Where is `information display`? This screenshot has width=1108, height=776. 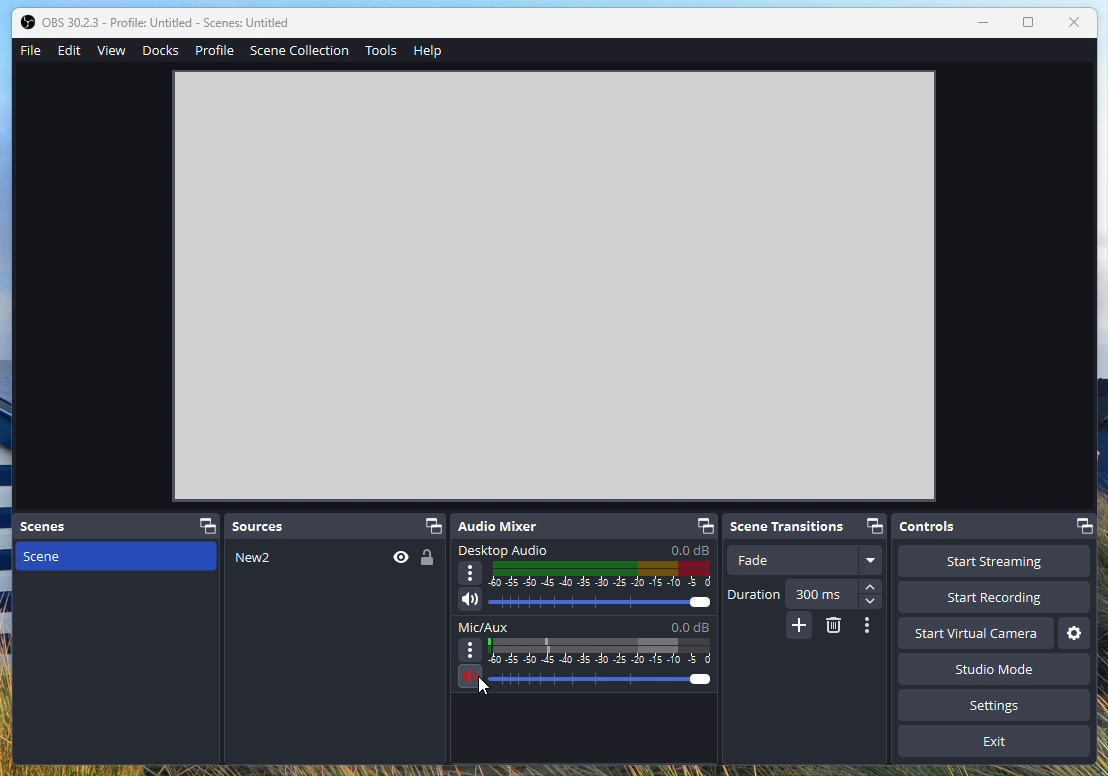
information display is located at coordinates (536, 261).